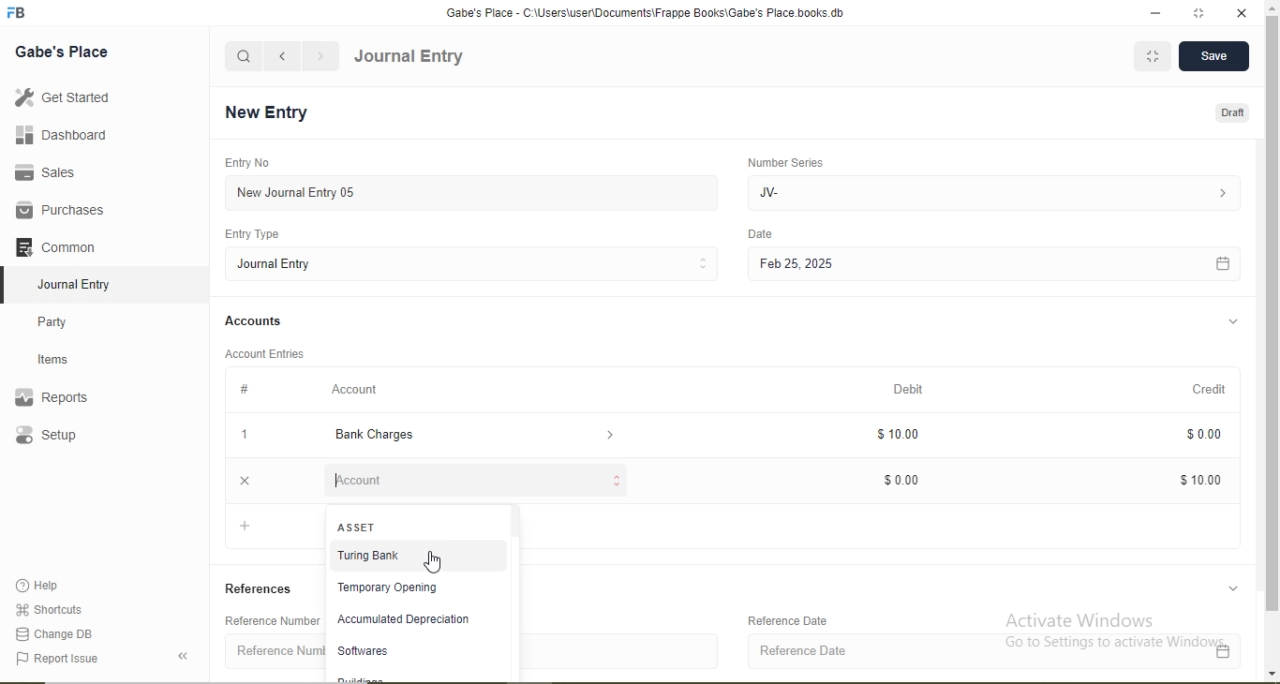 Image resolution: width=1280 pixels, height=684 pixels. I want to click on Accumulated Depreciation, so click(411, 620).